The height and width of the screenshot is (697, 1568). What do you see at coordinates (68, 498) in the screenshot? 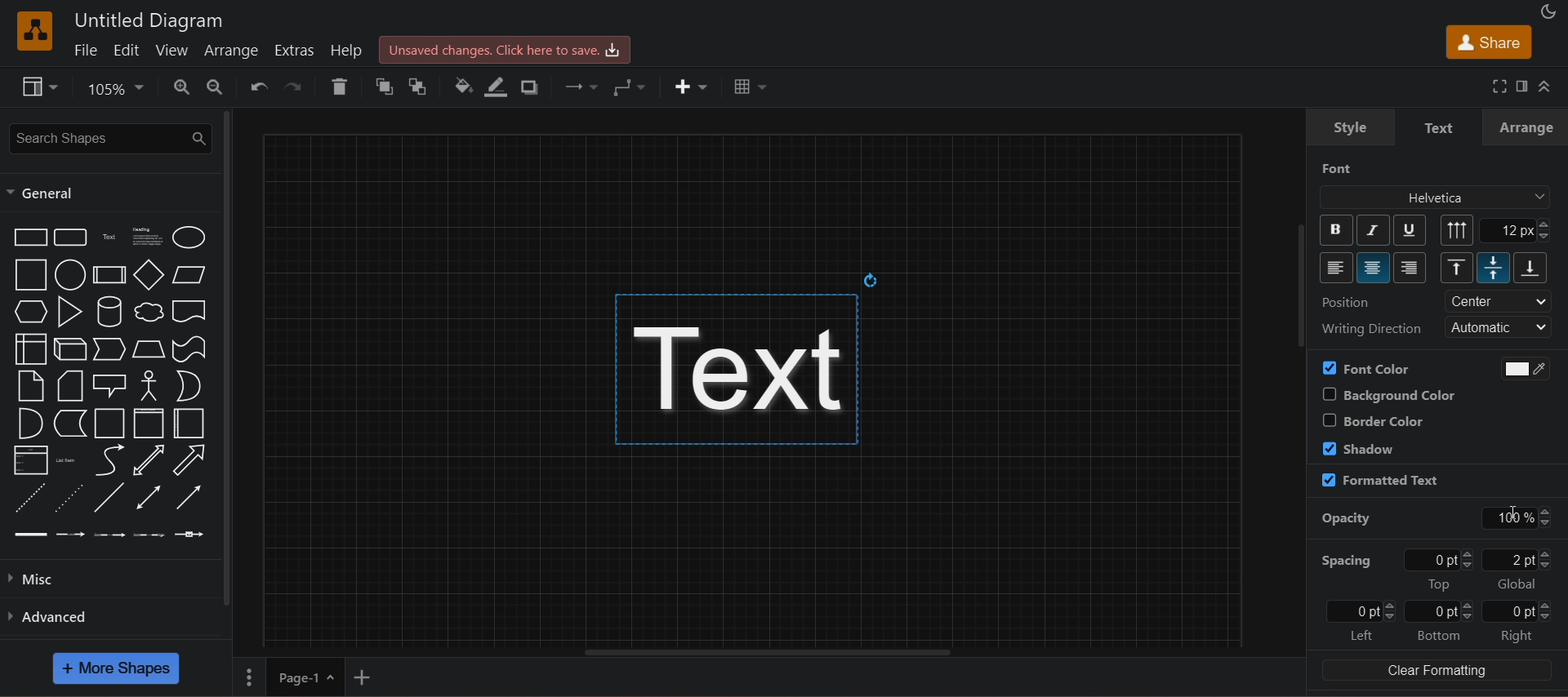
I see `dotted line` at bounding box center [68, 498].